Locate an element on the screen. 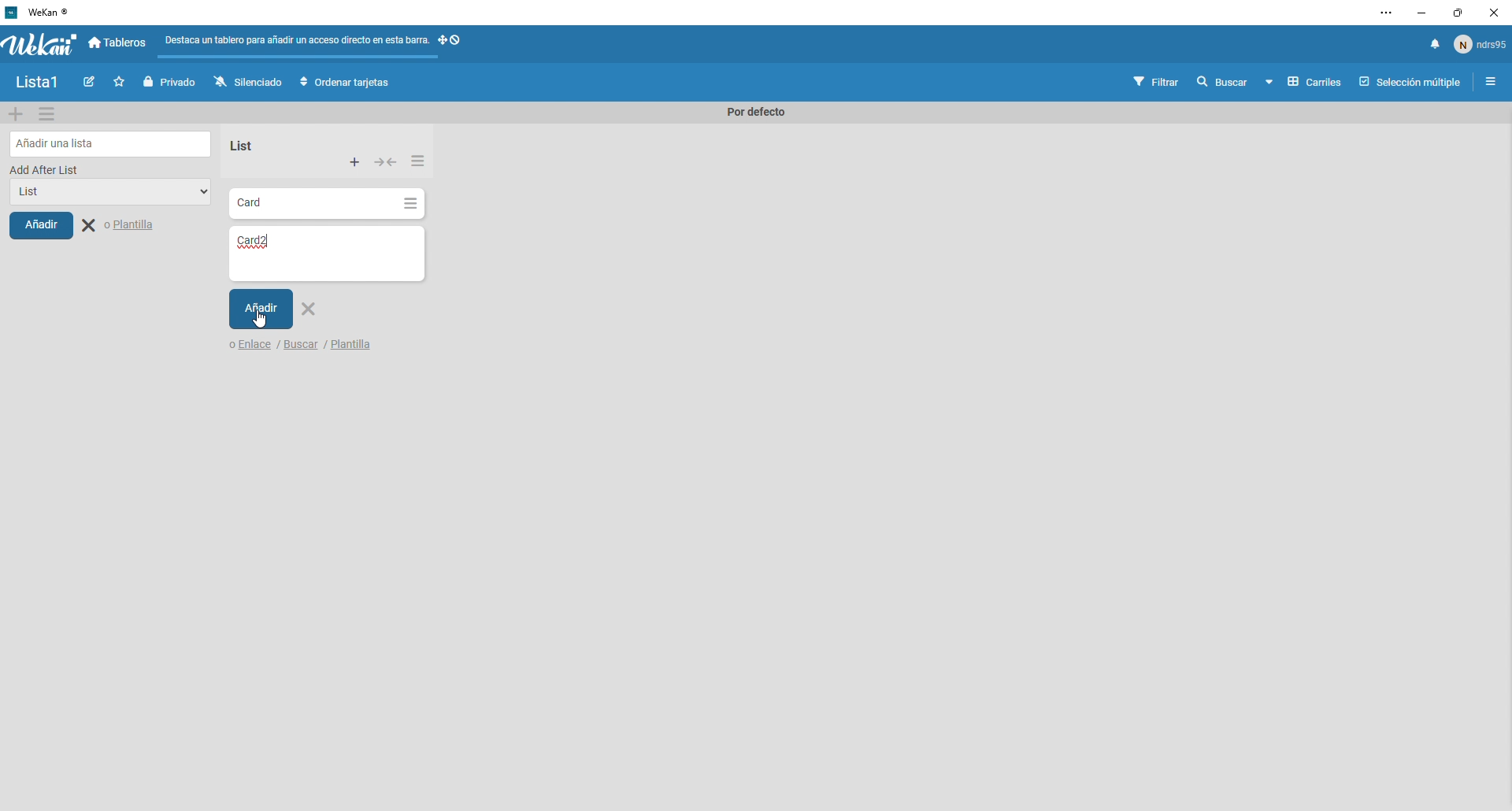 The width and height of the screenshot is (1512, 811). Order cards is located at coordinates (345, 83).